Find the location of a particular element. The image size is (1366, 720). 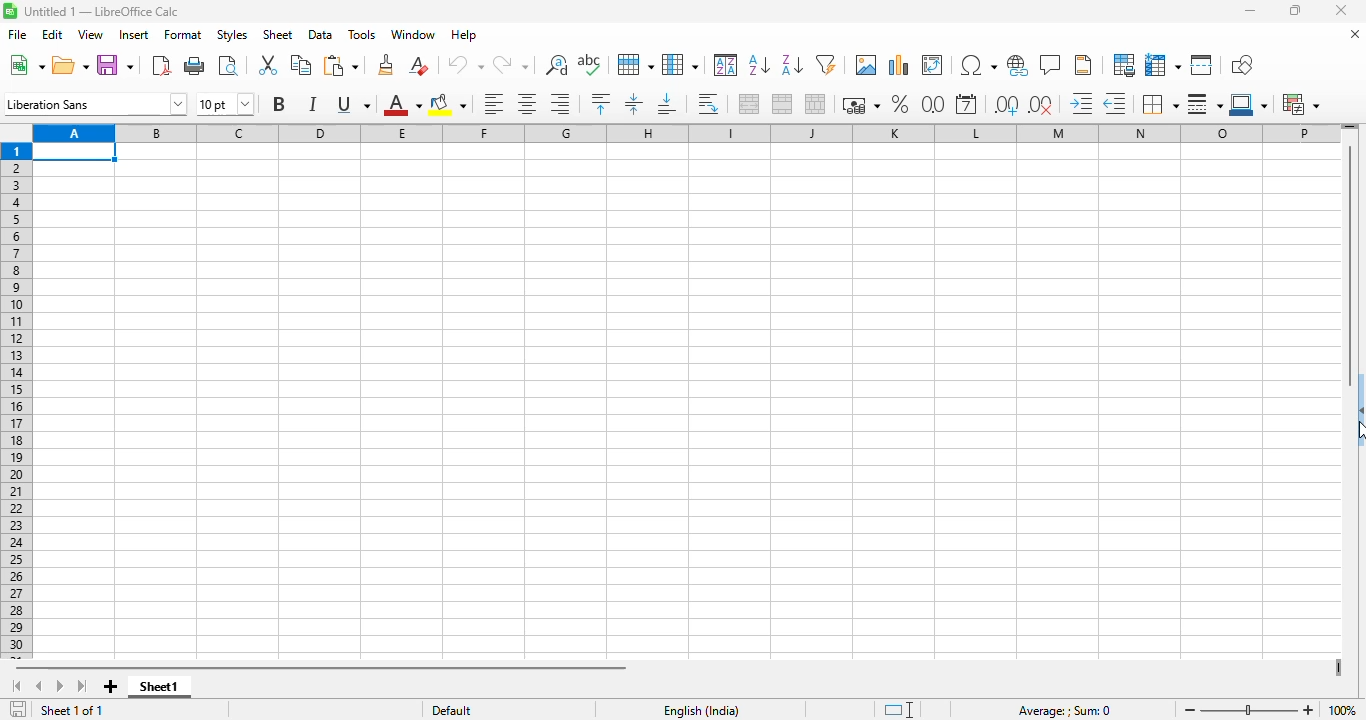

insert hyperlink is located at coordinates (1018, 65).